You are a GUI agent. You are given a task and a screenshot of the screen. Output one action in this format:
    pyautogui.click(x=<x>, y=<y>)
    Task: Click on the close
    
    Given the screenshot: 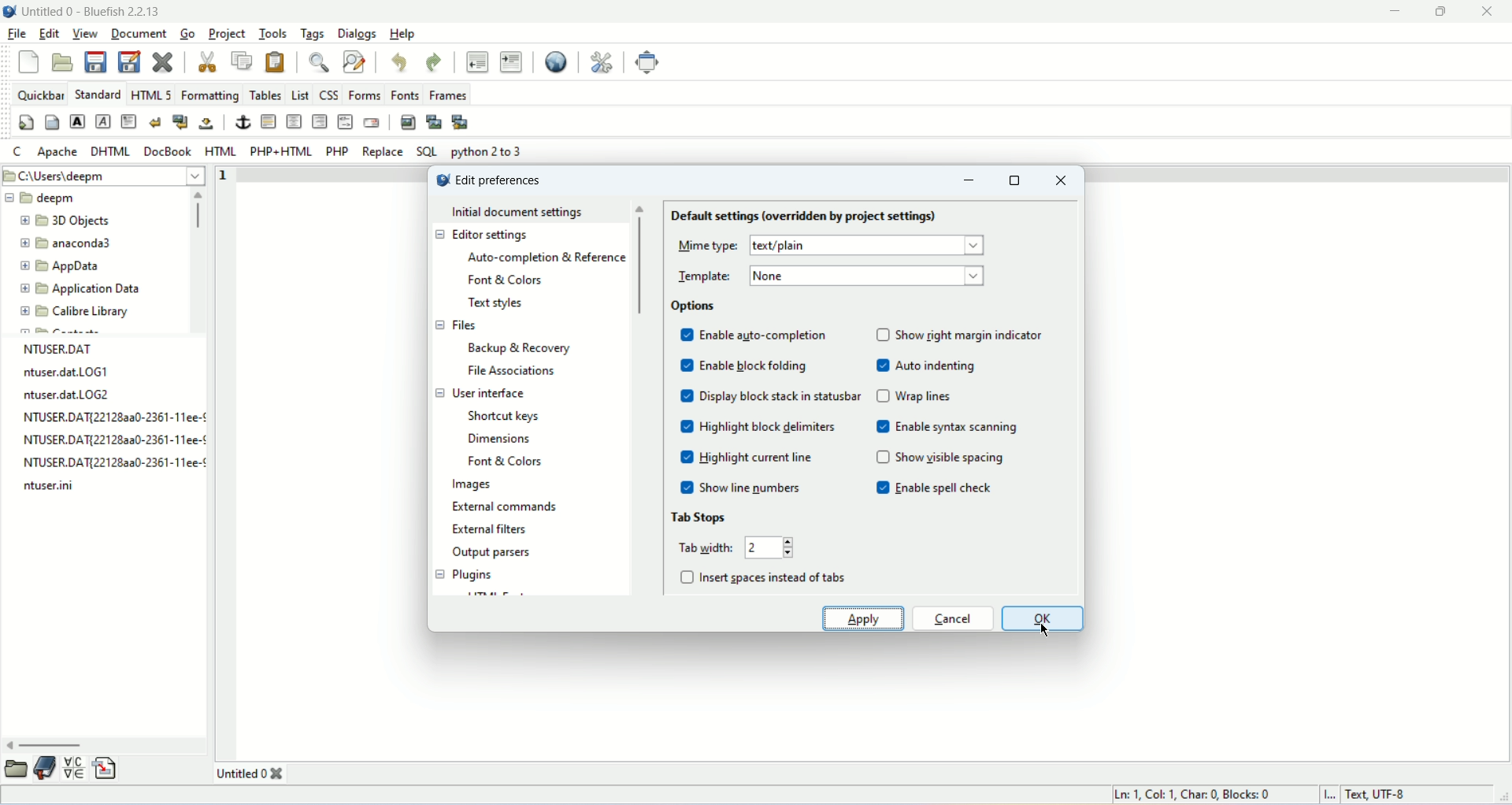 What is the action you would take?
    pyautogui.click(x=1483, y=12)
    